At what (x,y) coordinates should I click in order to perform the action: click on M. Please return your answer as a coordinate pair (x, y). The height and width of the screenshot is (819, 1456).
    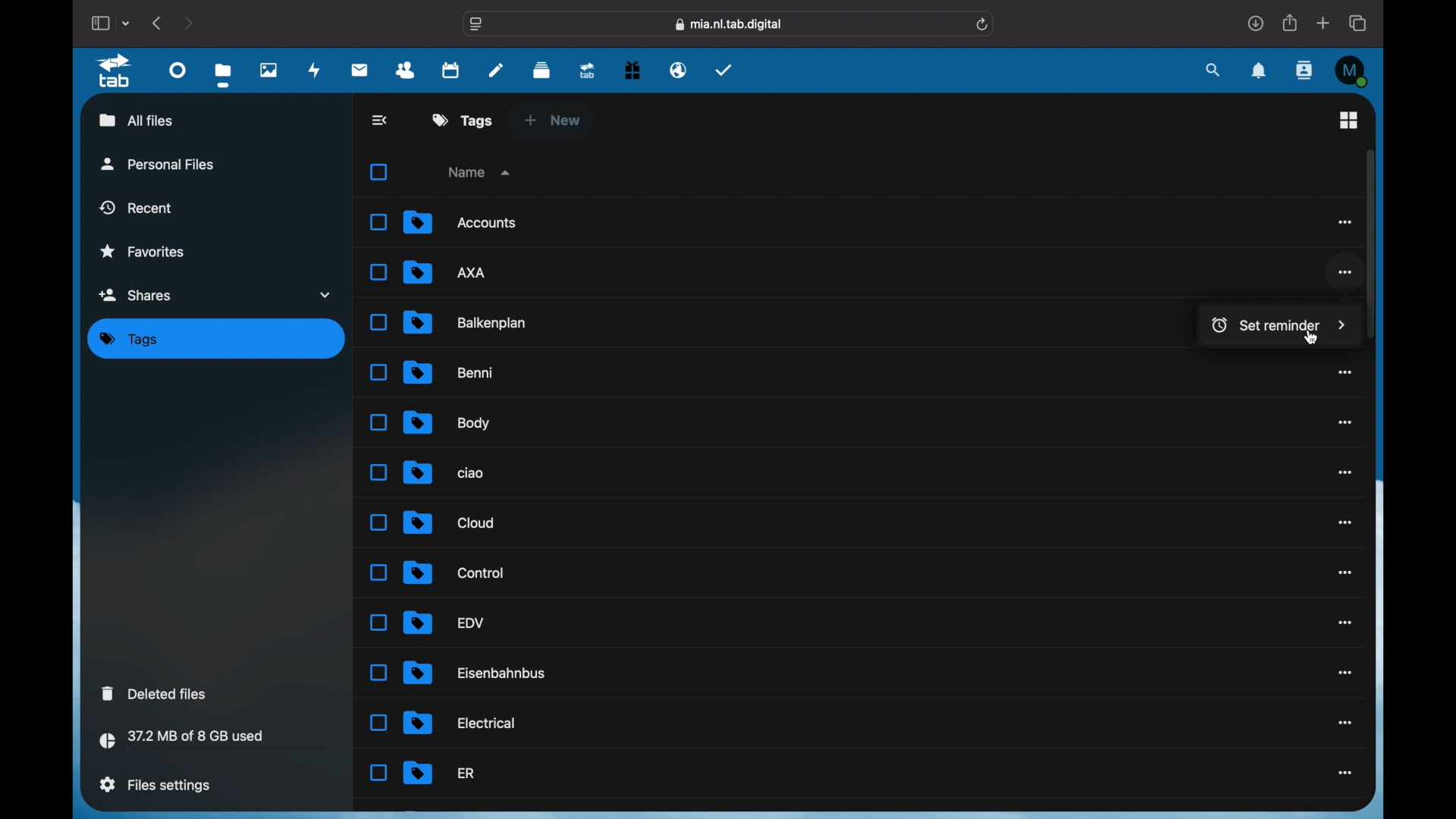
    Looking at the image, I should click on (1353, 71).